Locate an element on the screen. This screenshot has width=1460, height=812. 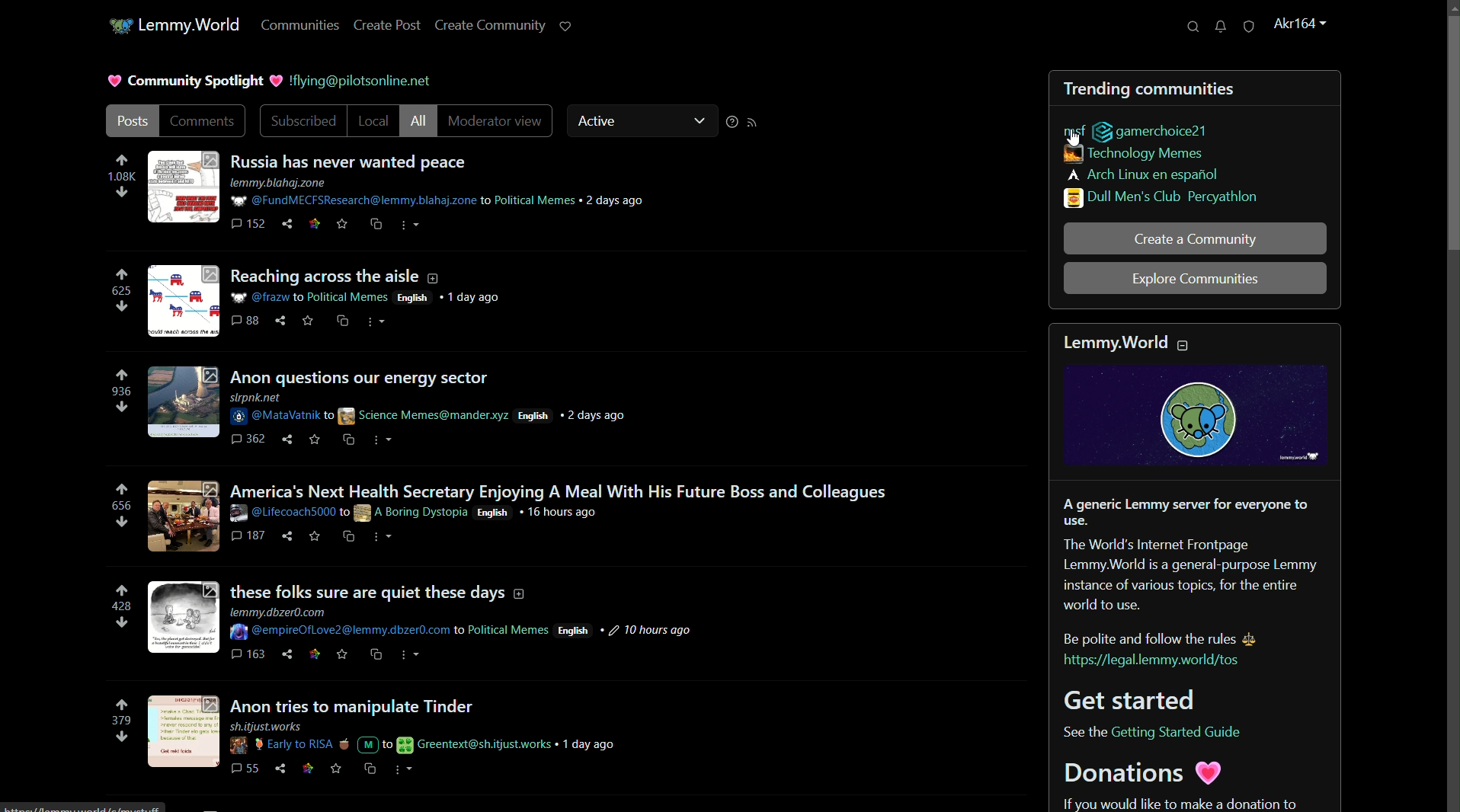
share is located at coordinates (287, 535).